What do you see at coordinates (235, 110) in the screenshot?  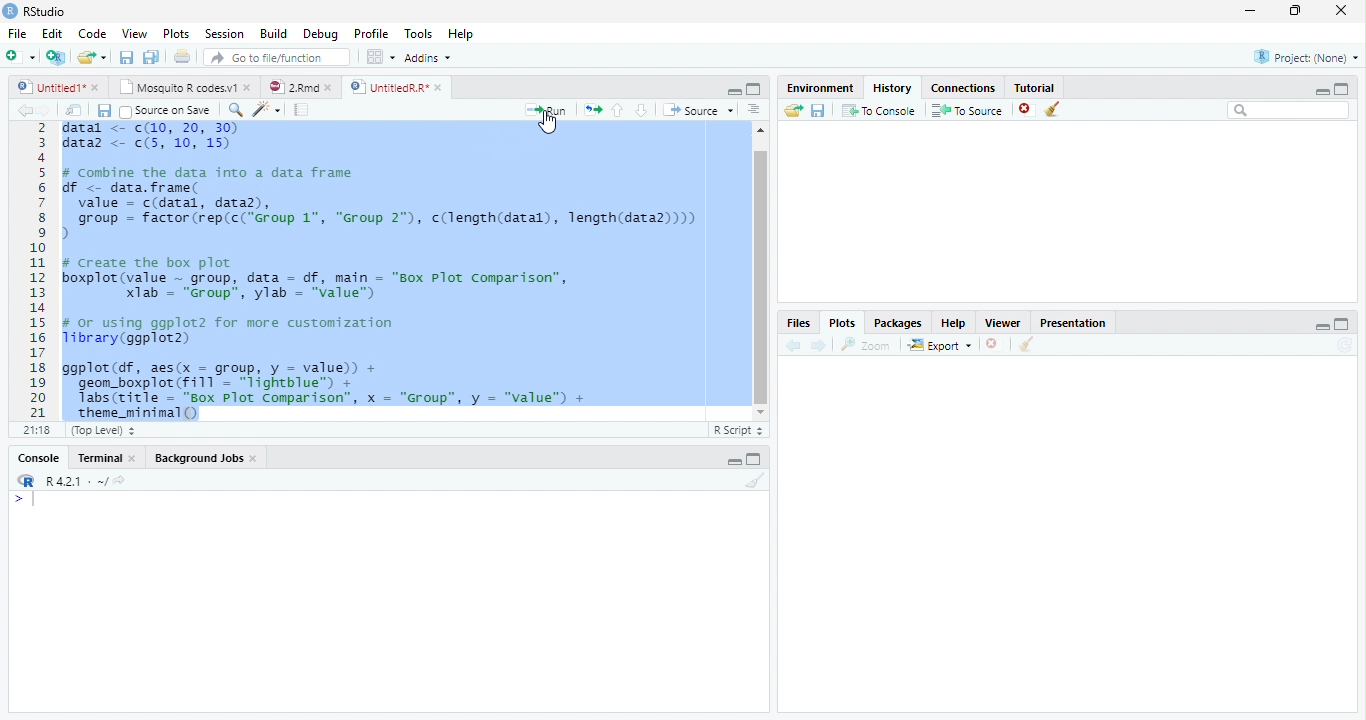 I see `Find/Replace` at bounding box center [235, 110].